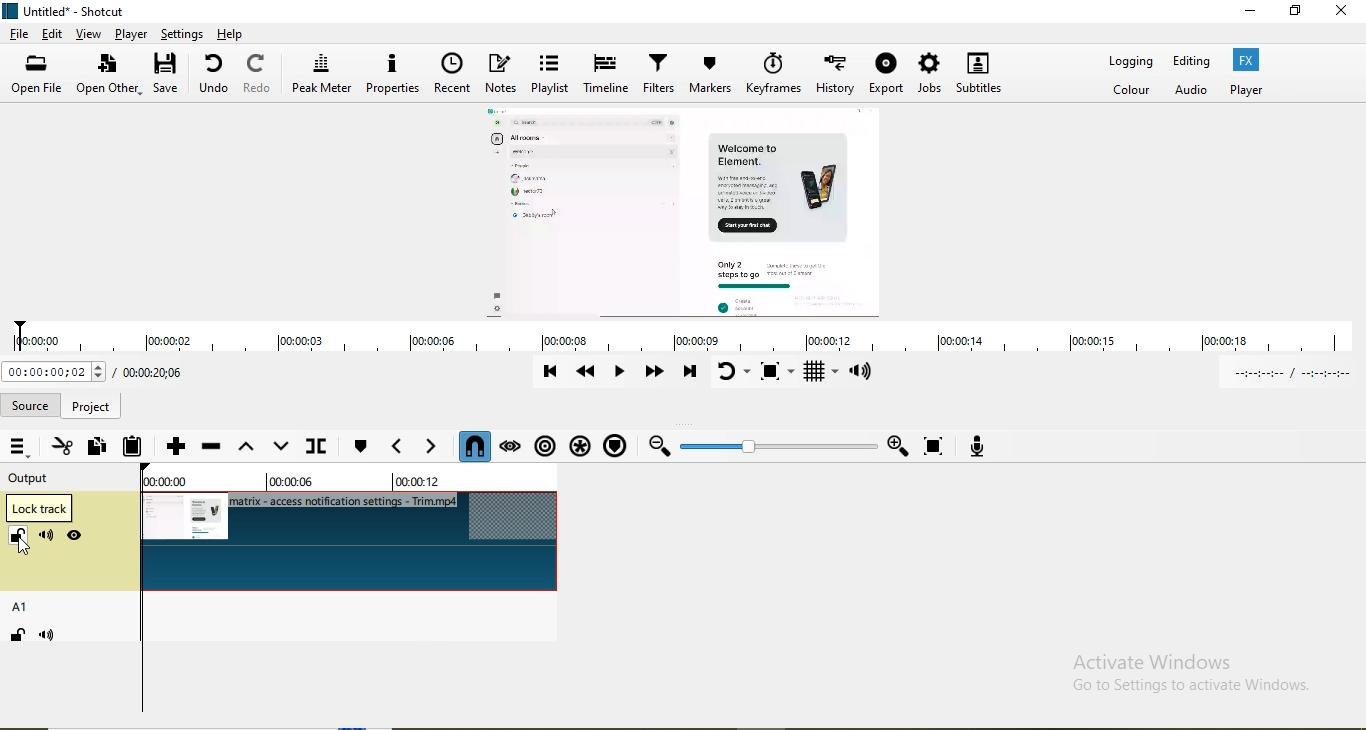  What do you see at coordinates (711, 75) in the screenshot?
I see `Markers` at bounding box center [711, 75].